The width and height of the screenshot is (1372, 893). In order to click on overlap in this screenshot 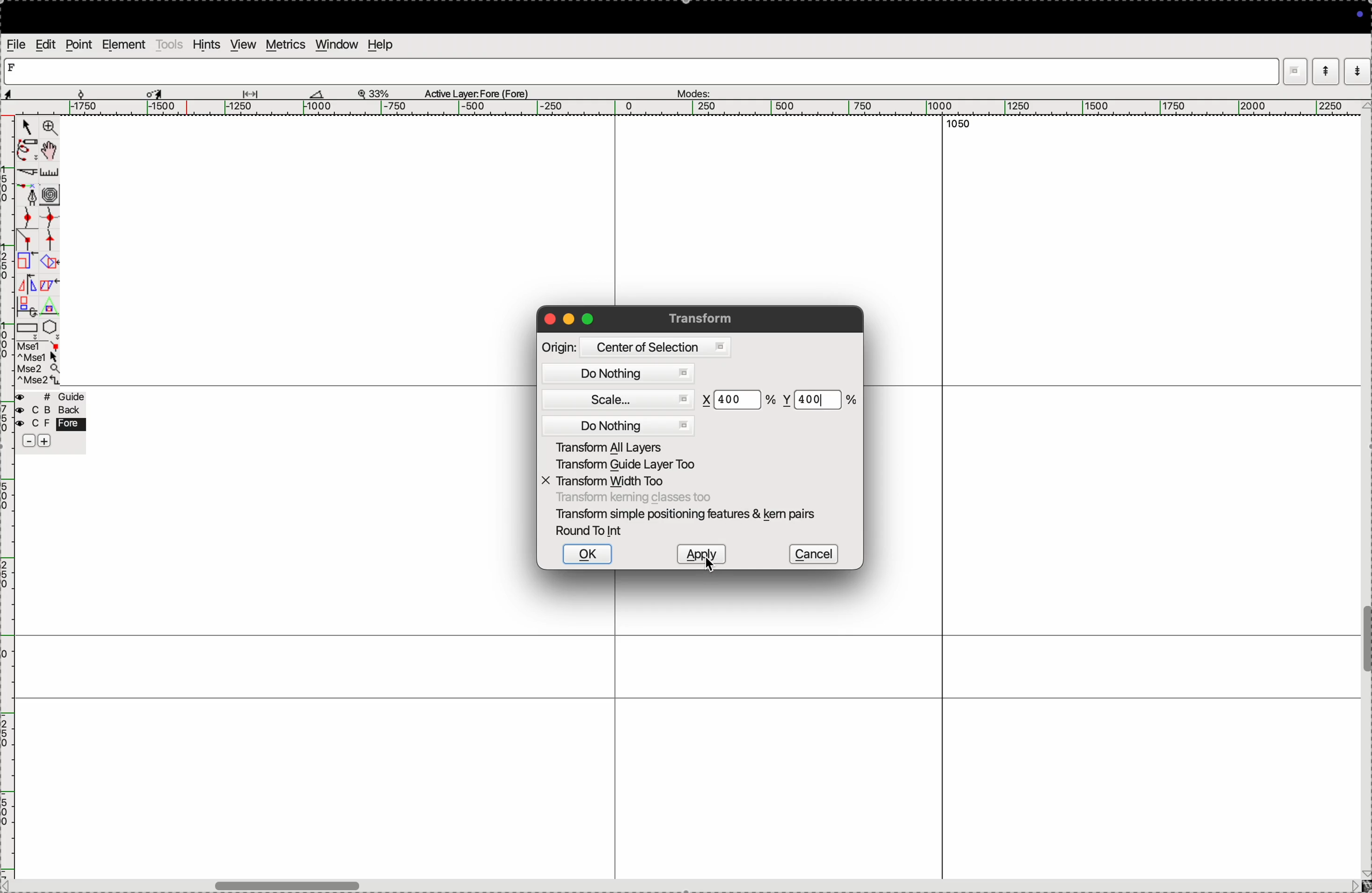, I will do `click(51, 262)`.